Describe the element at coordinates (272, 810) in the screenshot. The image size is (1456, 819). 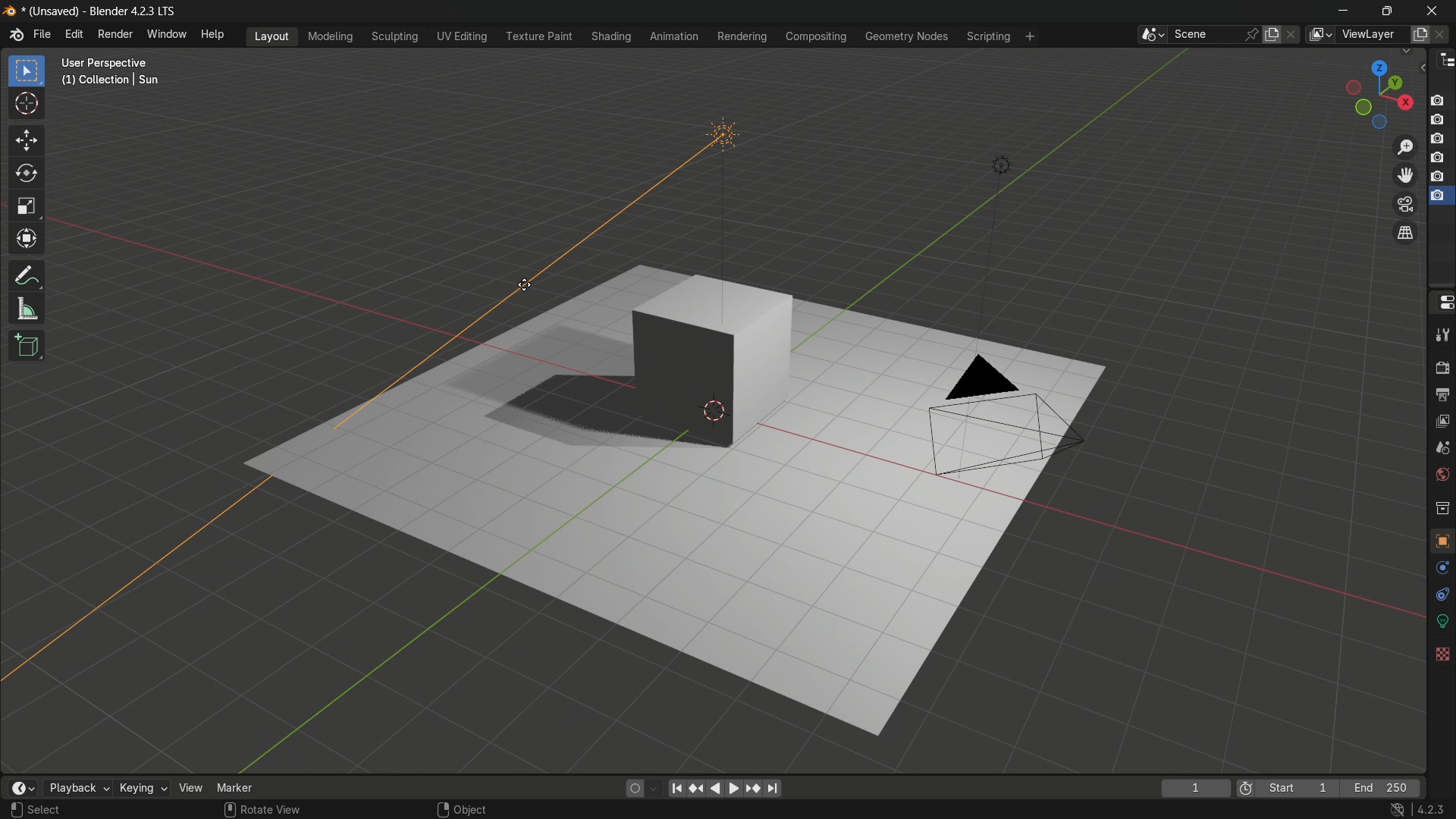
I see `rotate view` at that location.